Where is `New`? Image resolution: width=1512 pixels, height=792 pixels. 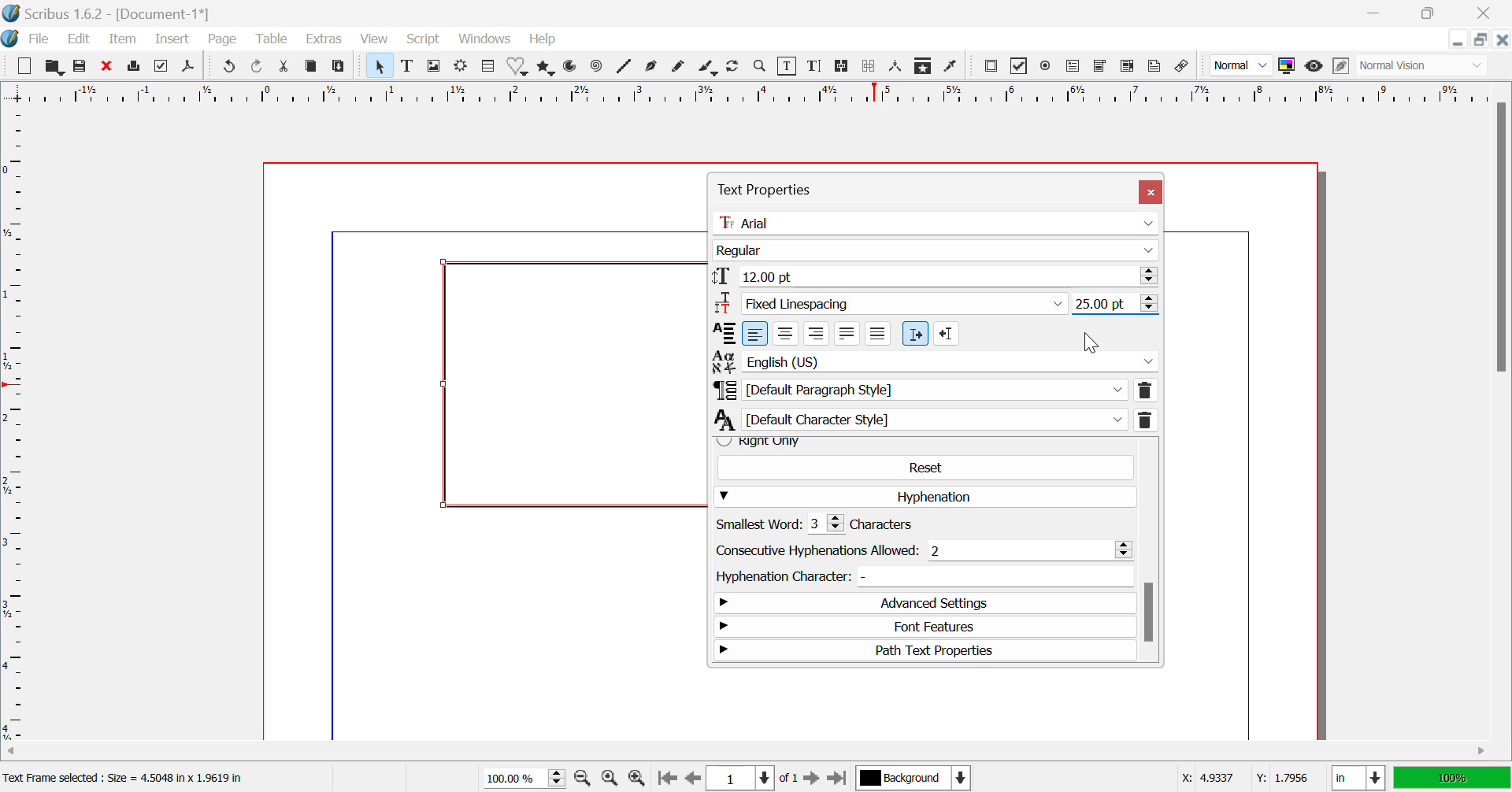
New is located at coordinates (24, 65).